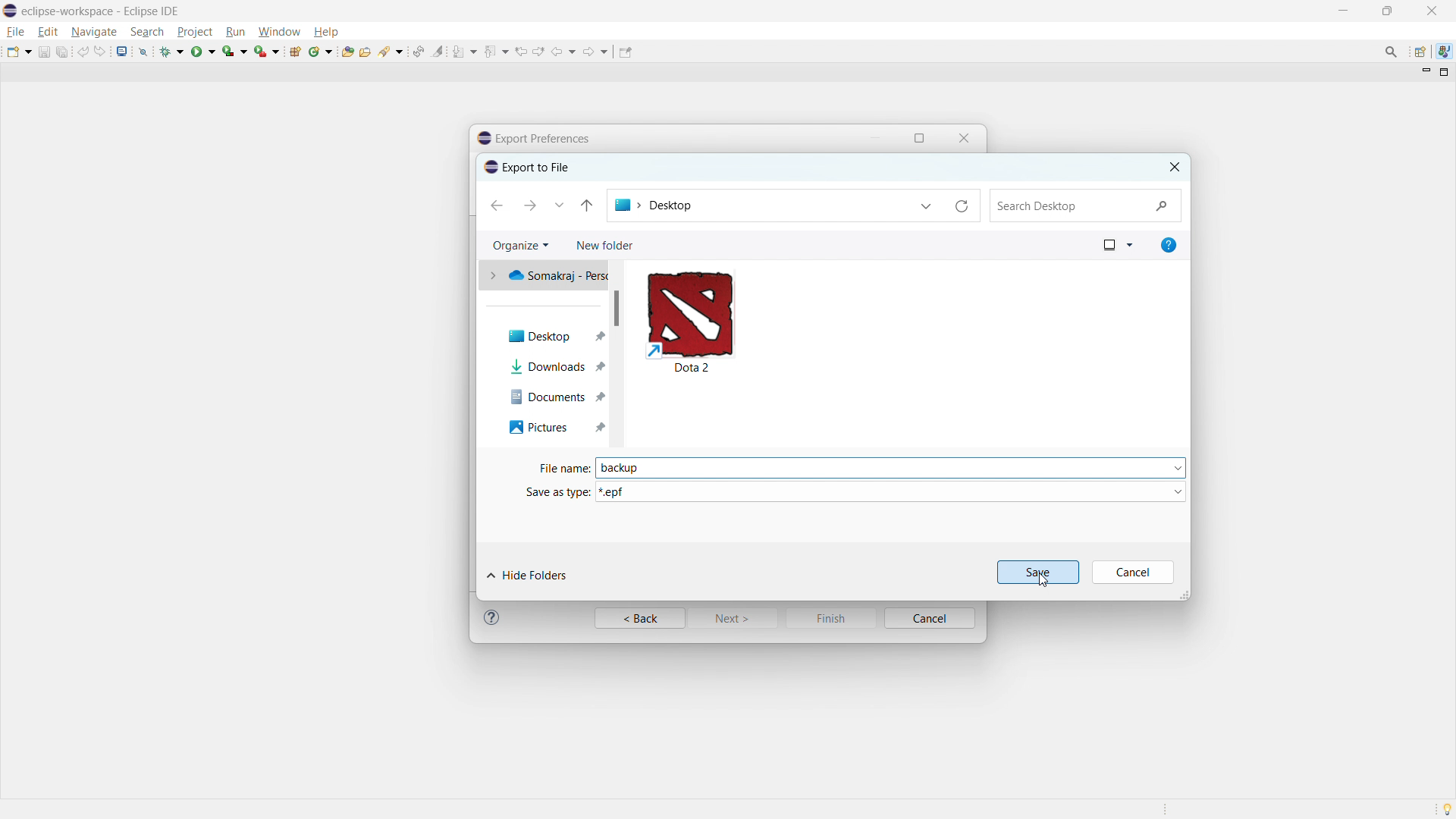 Image resolution: width=1456 pixels, height=819 pixels. Describe the element at coordinates (143, 51) in the screenshot. I see `skip all breakpoints` at that location.